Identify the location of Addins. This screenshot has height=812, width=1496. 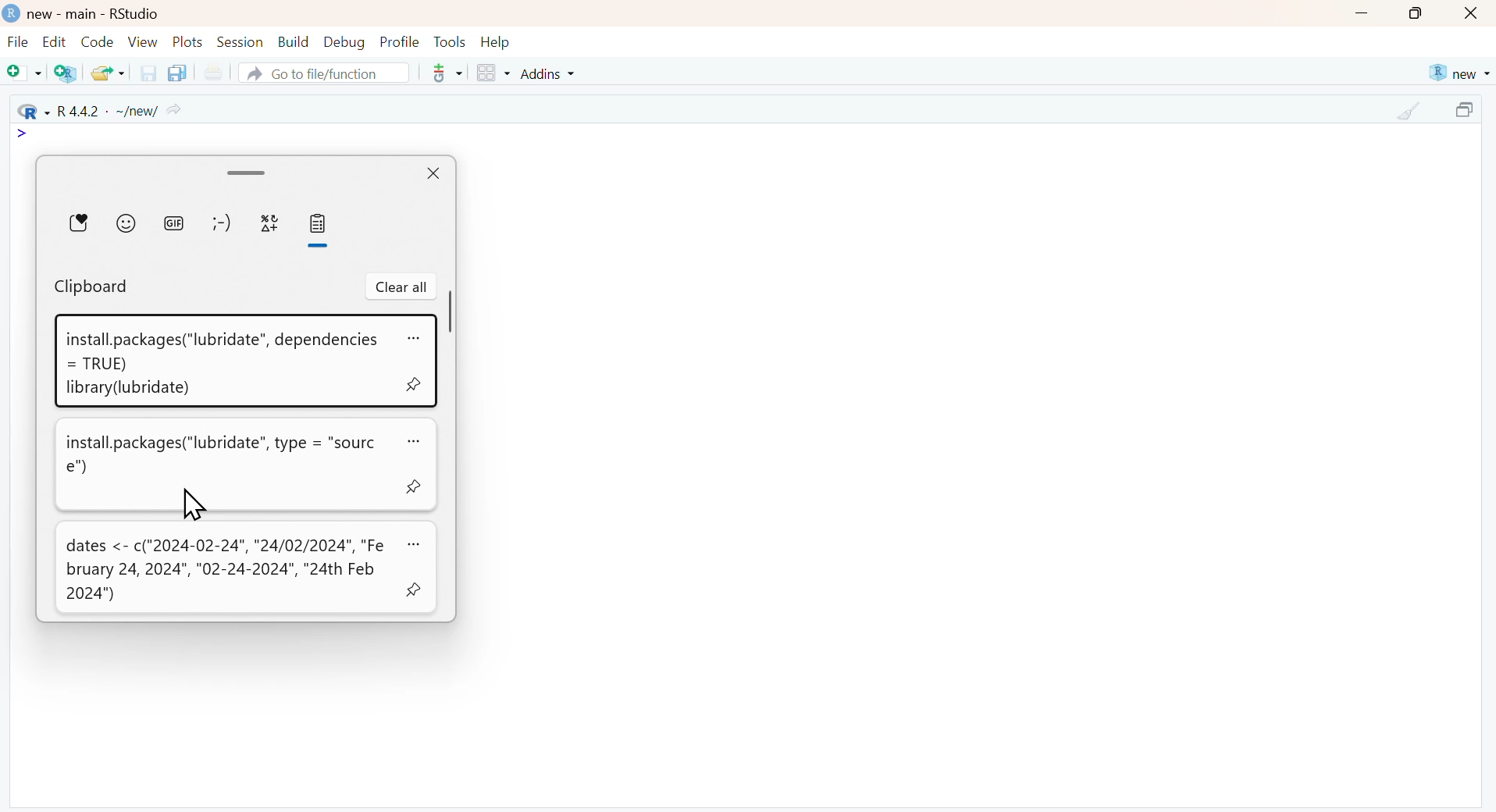
(550, 73).